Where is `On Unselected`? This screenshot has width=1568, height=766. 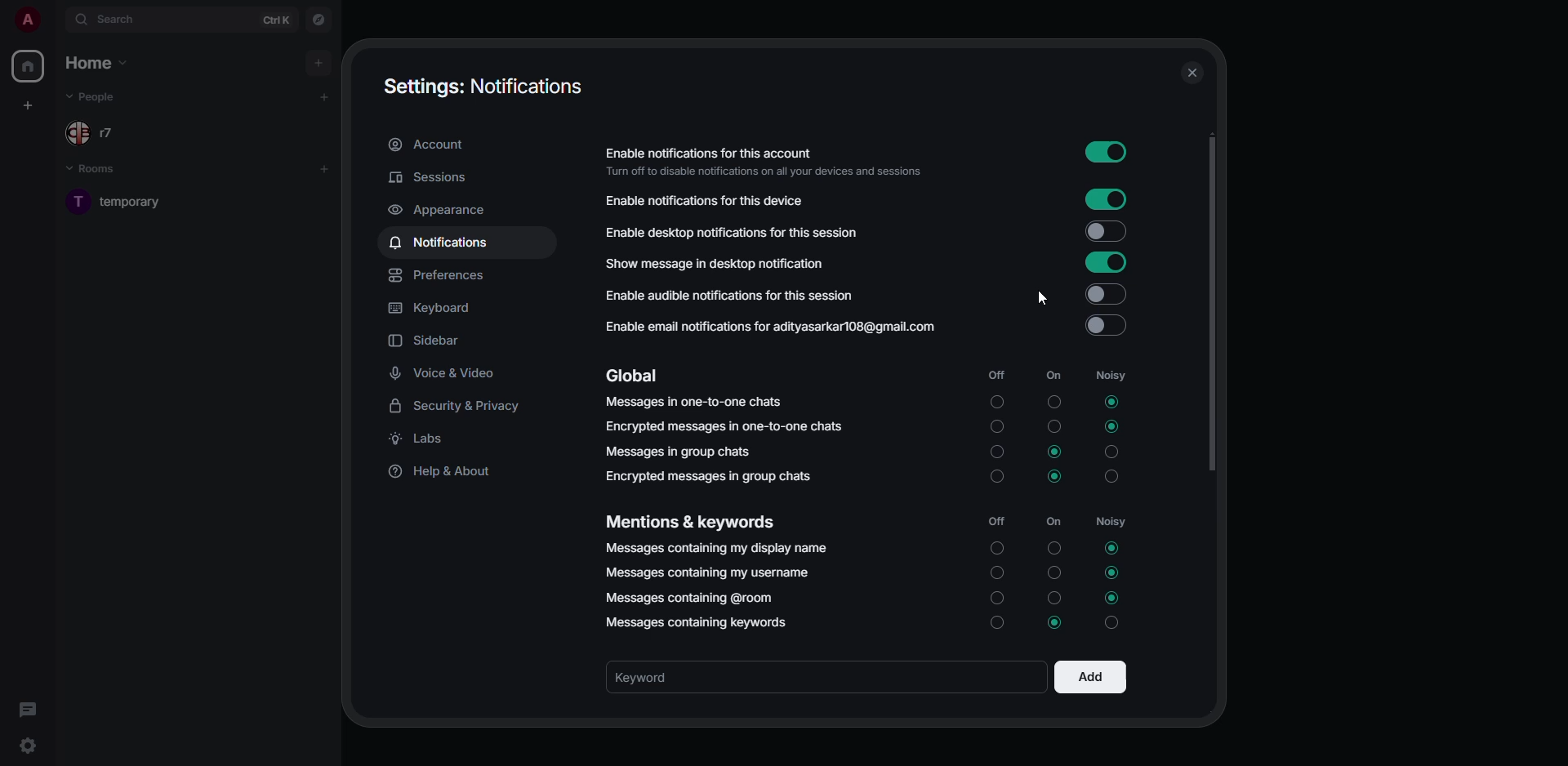 On Unselected is located at coordinates (1053, 426).